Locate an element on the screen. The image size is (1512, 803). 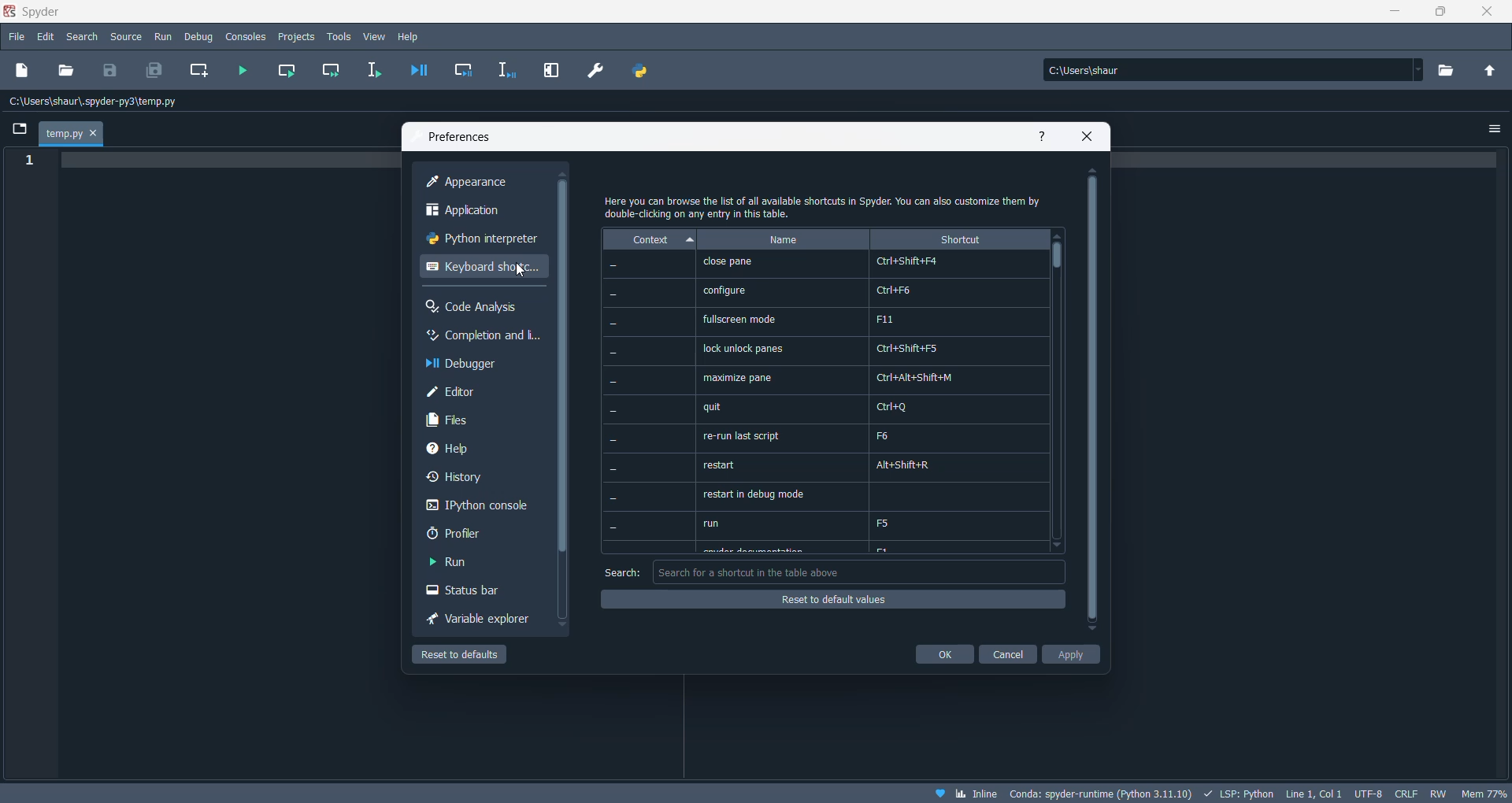
options is located at coordinates (1494, 130).